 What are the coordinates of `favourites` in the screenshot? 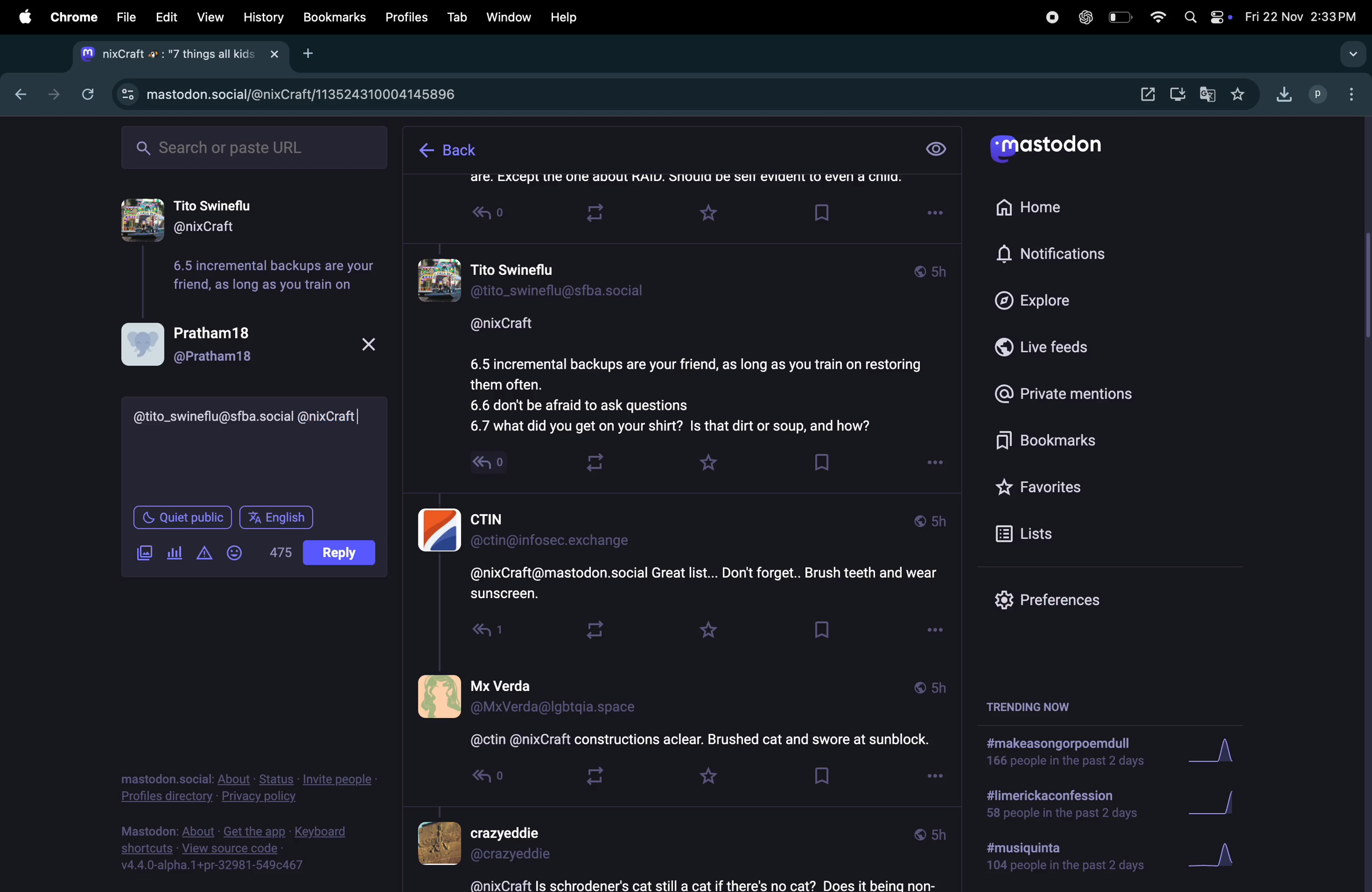 It's located at (707, 464).